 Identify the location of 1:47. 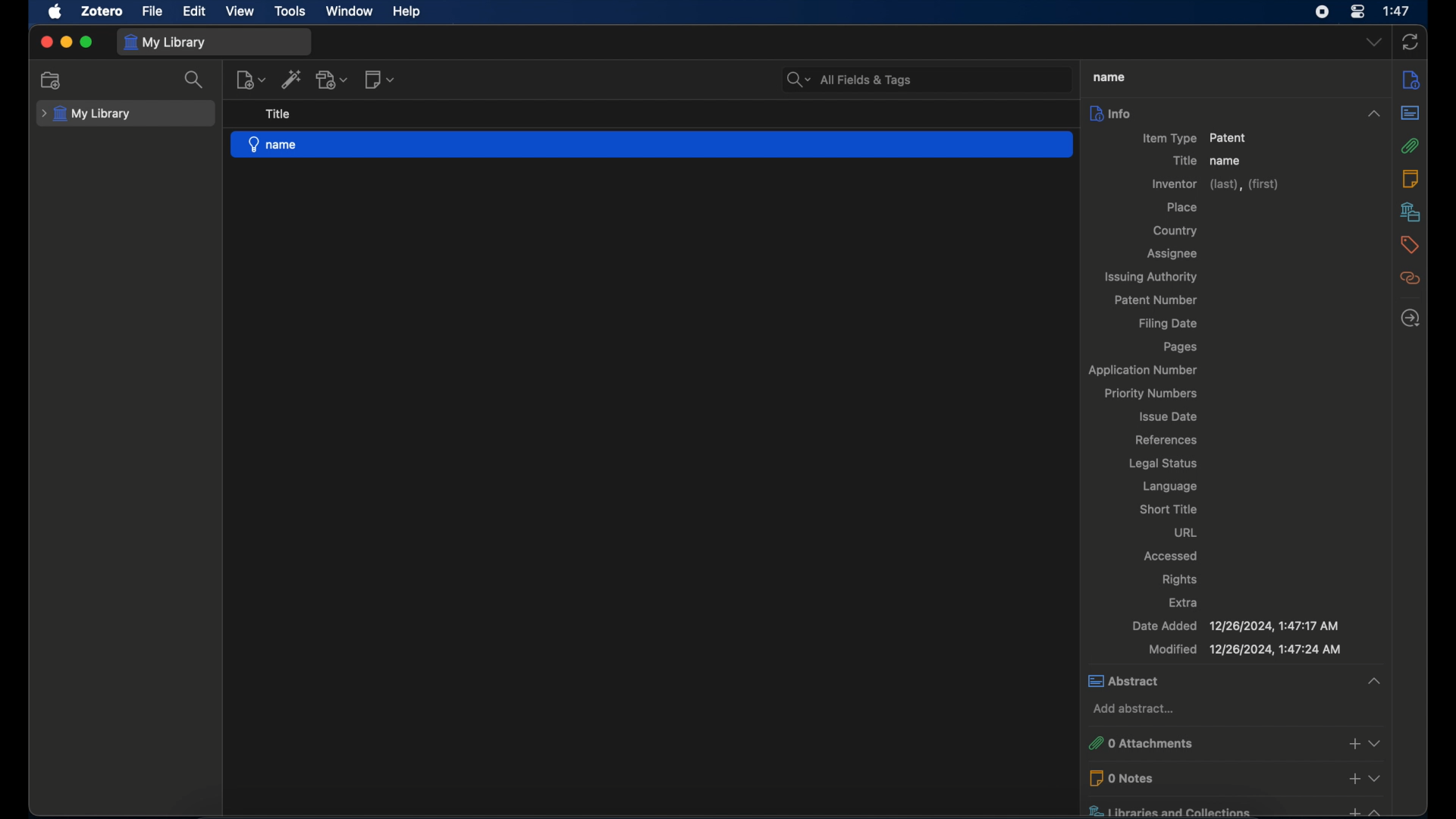
(1402, 14).